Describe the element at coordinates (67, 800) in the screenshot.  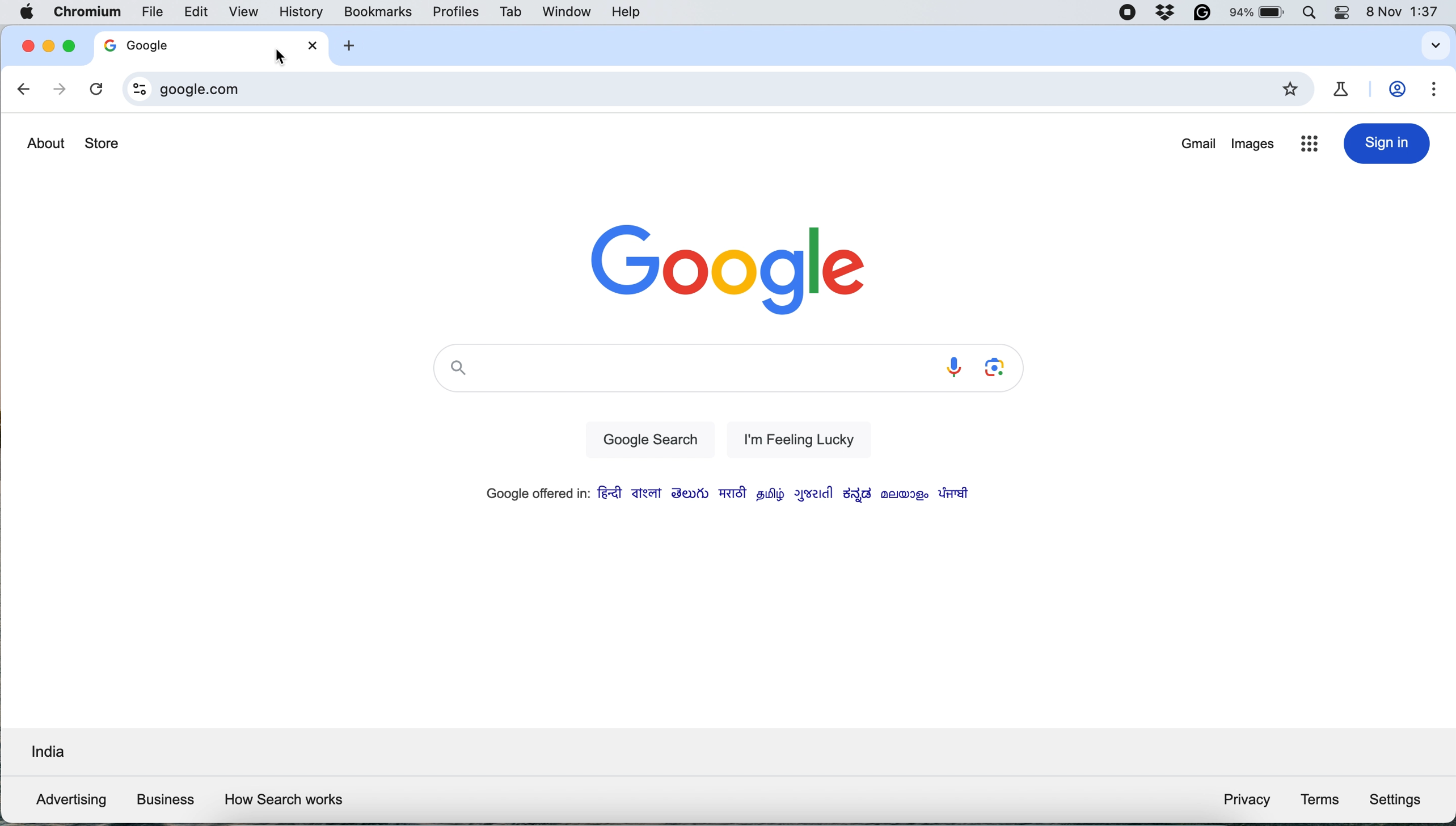
I see `advertising` at that location.